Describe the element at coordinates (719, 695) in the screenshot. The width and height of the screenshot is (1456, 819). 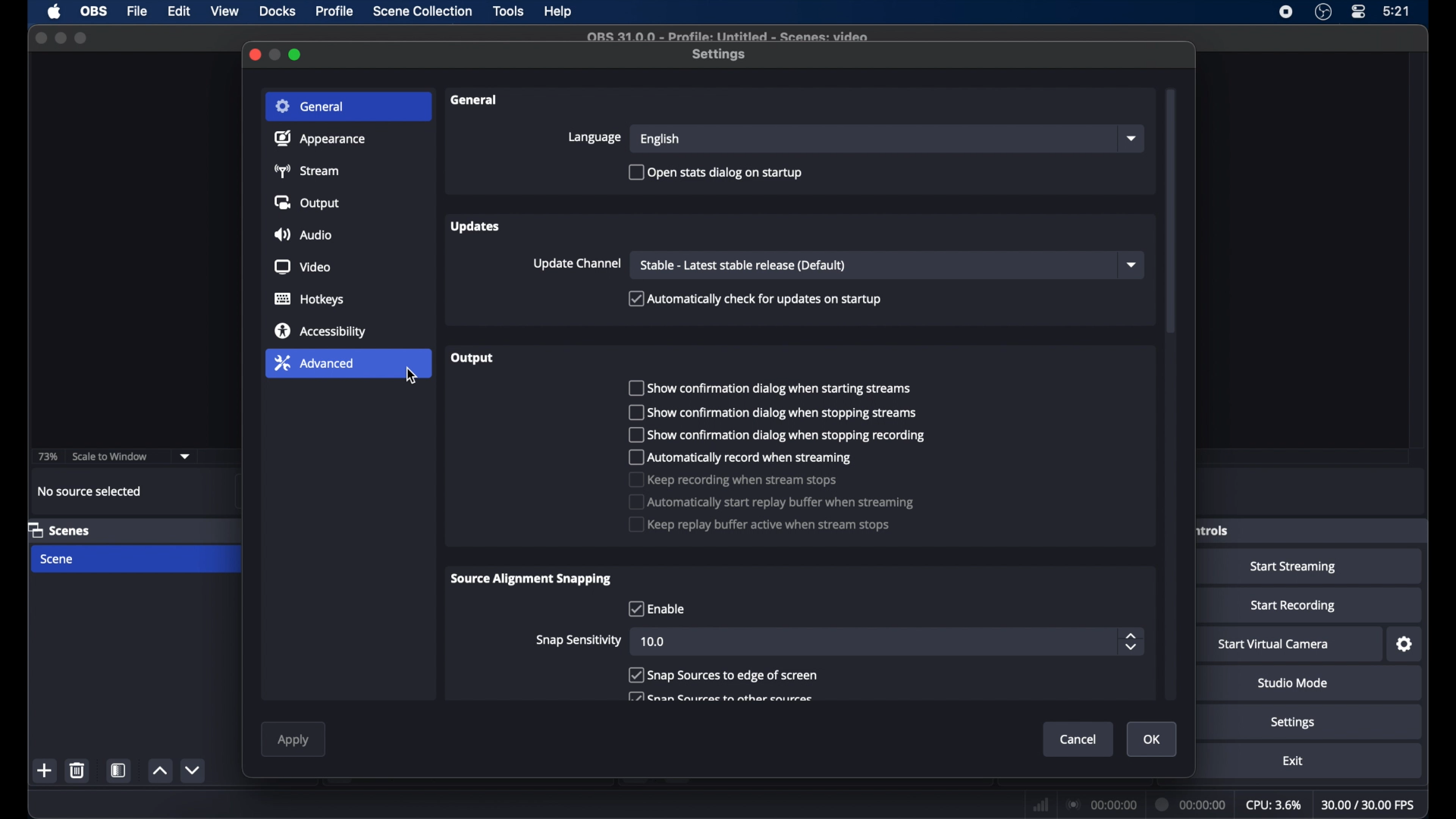
I see `obscure` at that location.